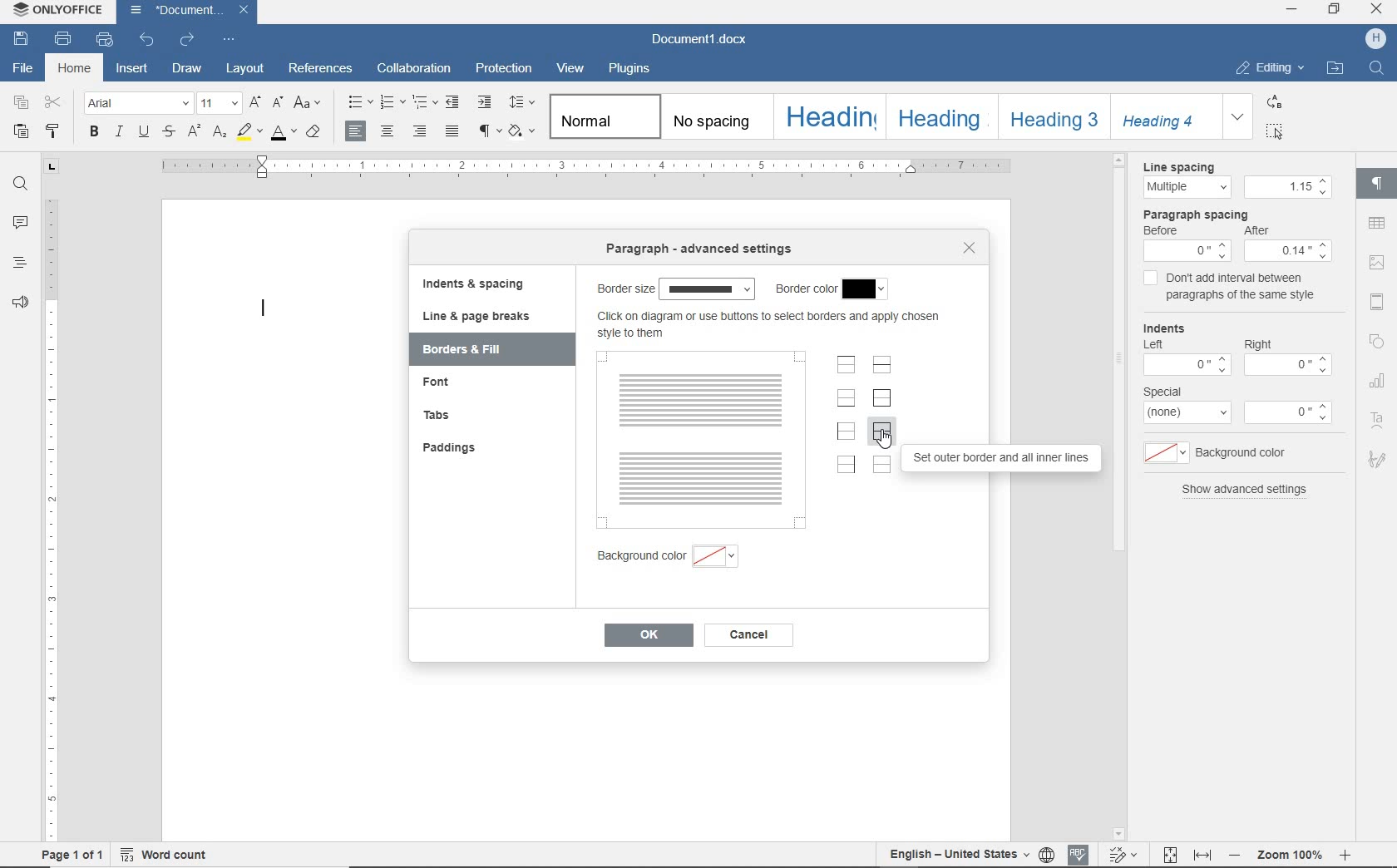 This screenshot has width=1397, height=868. What do you see at coordinates (846, 367) in the screenshot?
I see `set top border only` at bounding box center [846, 367].